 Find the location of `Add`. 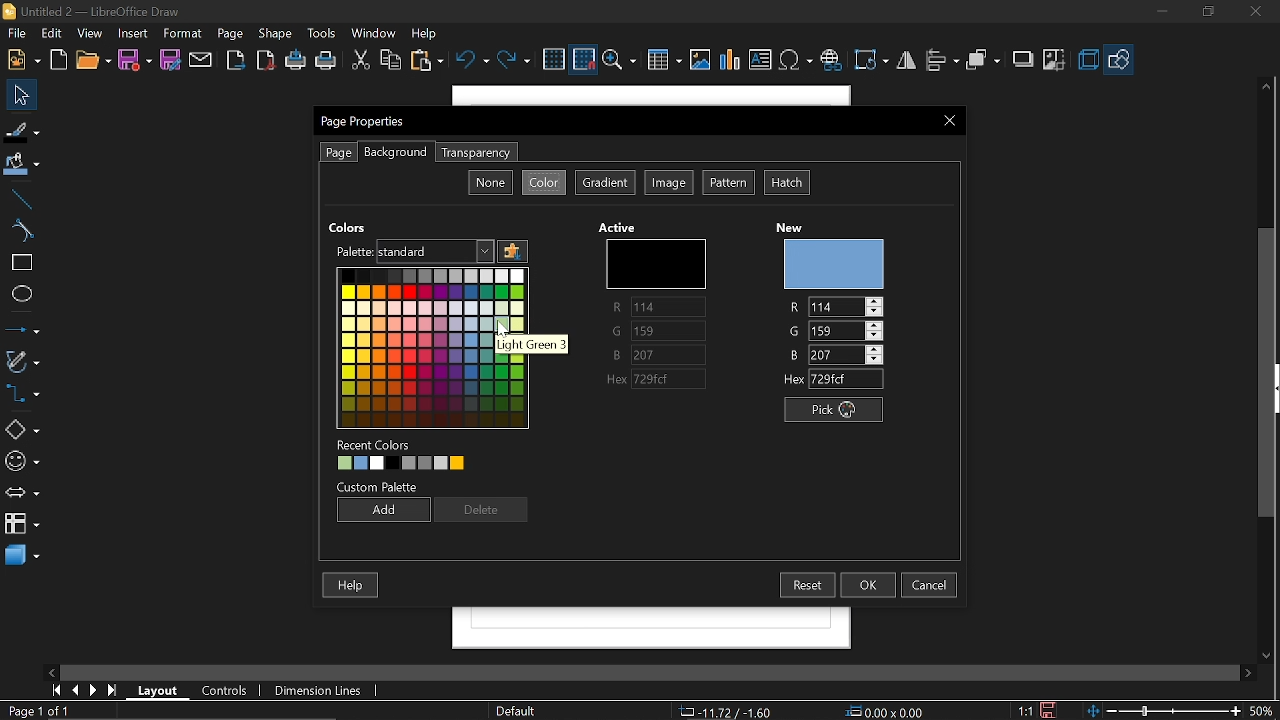

Add is located at coordinates (382, 509).